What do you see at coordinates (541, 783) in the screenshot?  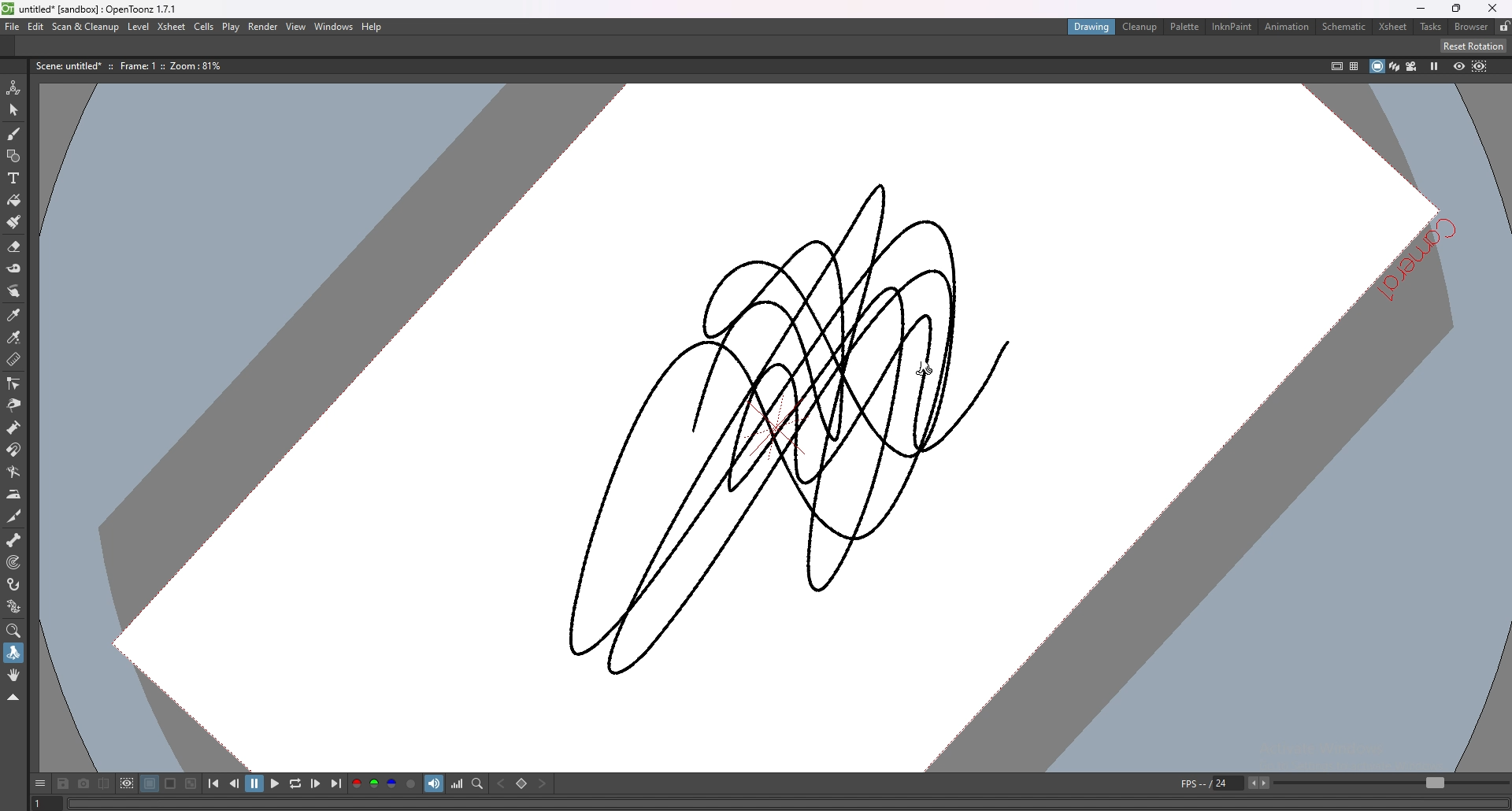 I see `next key` at bounding box center [541, 783].